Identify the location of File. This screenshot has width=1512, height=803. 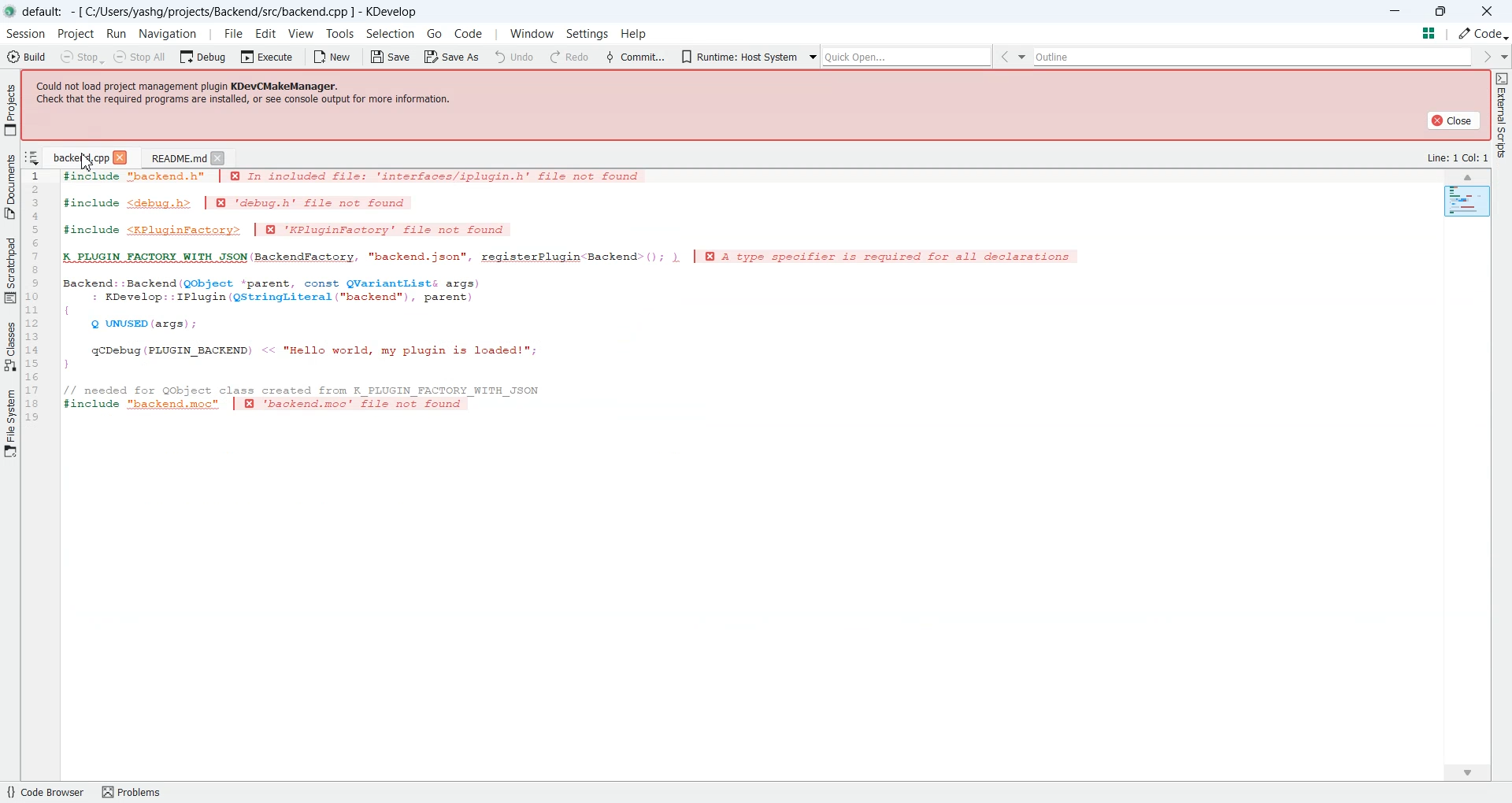
(231, 34).